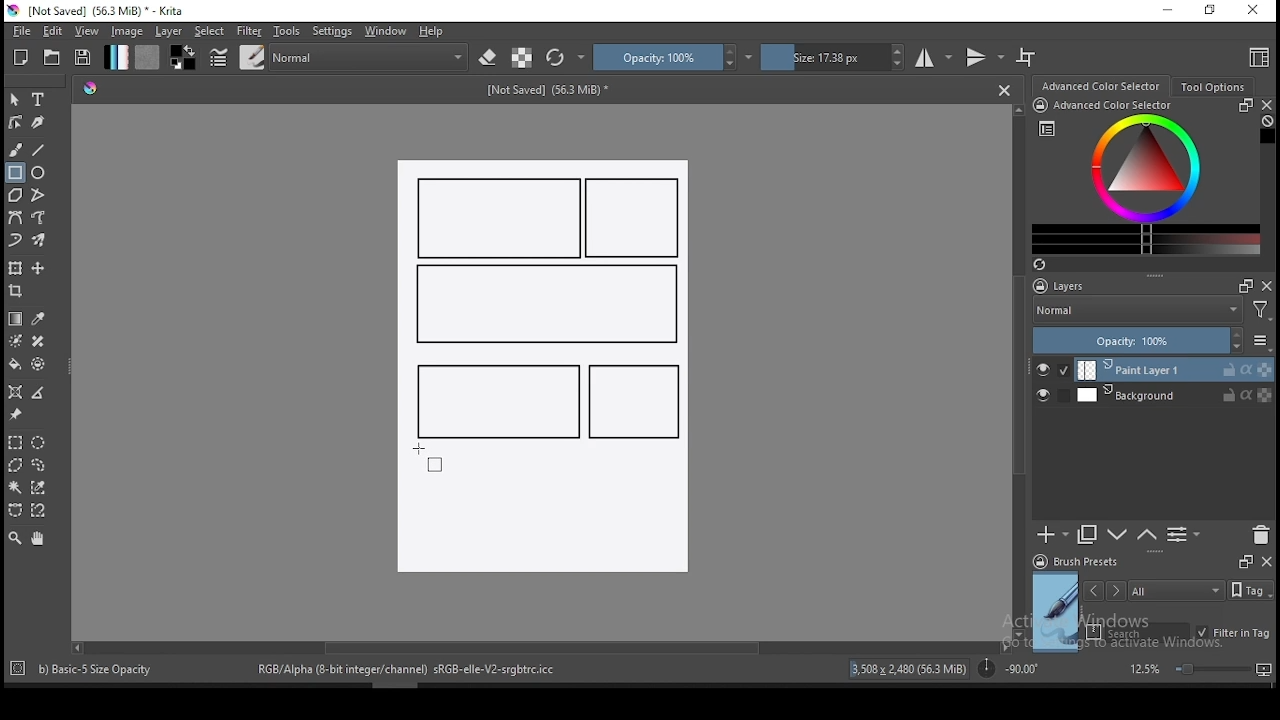 The height and width of the screenshot is (720, 1280). Describe the element at coordinates (38, 193) in the screenshot. I see `polyline tool` at that location.